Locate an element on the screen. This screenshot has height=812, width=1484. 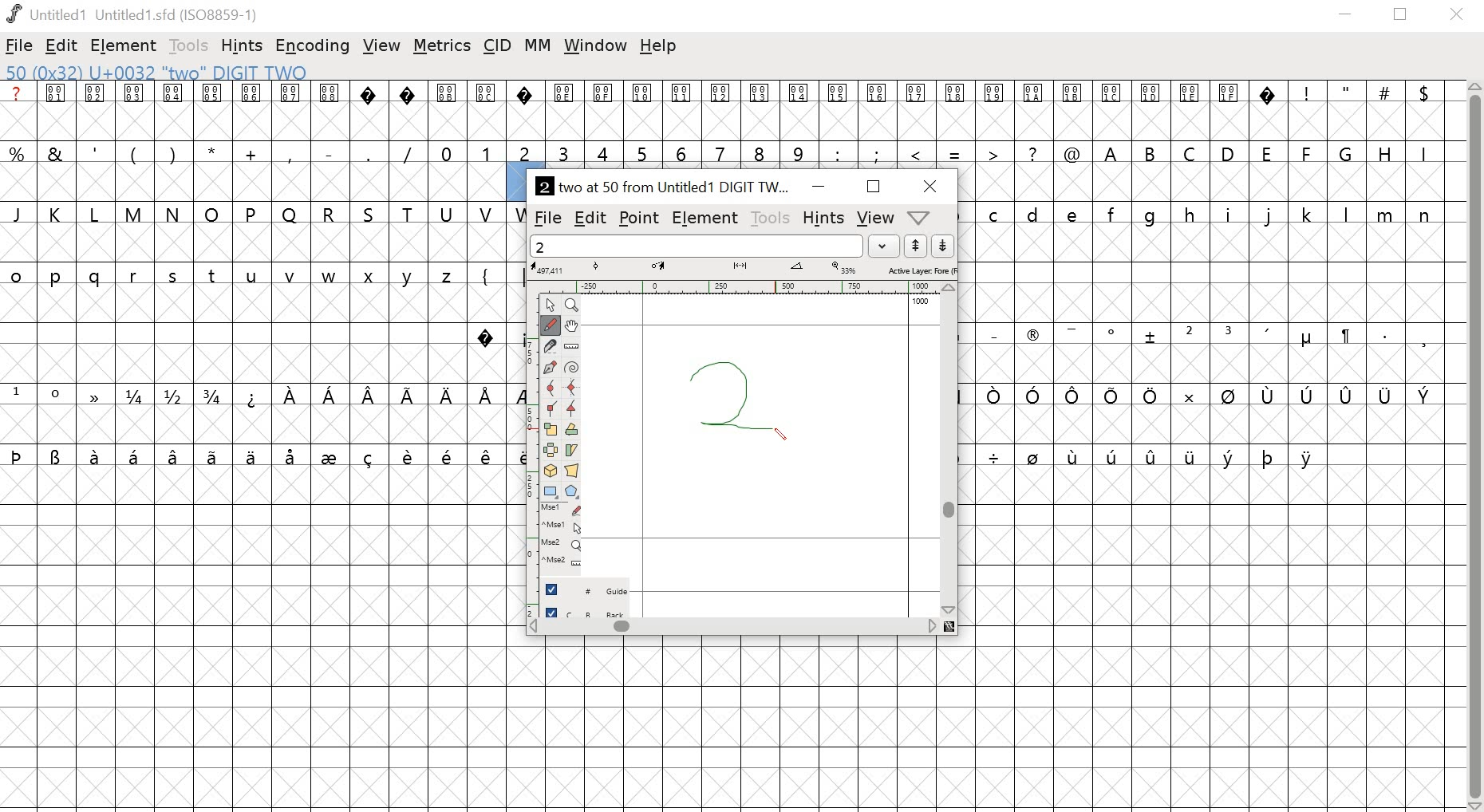
3D rotate is located at coordinates (551, 472).